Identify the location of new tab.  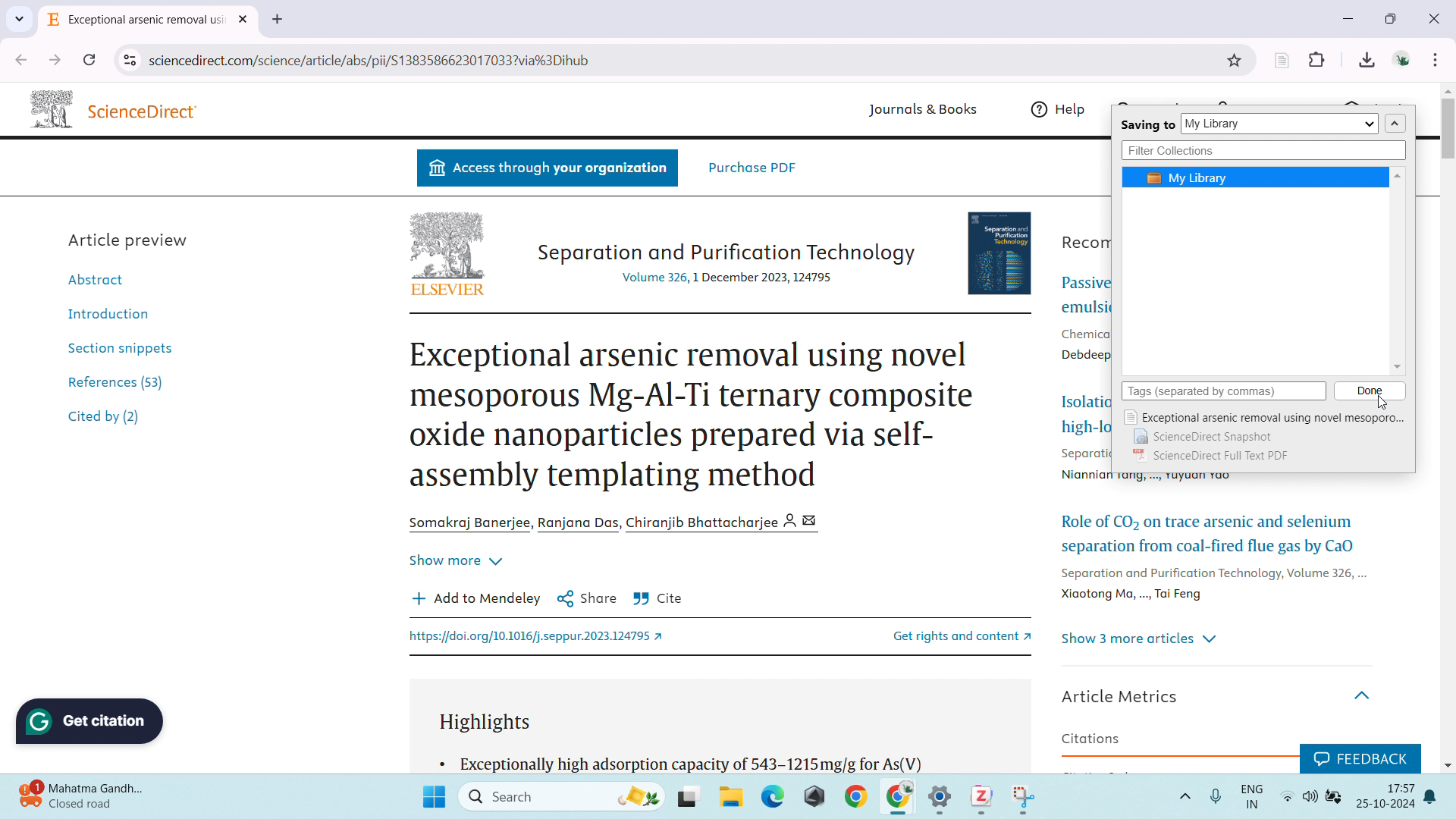
(278, 20).